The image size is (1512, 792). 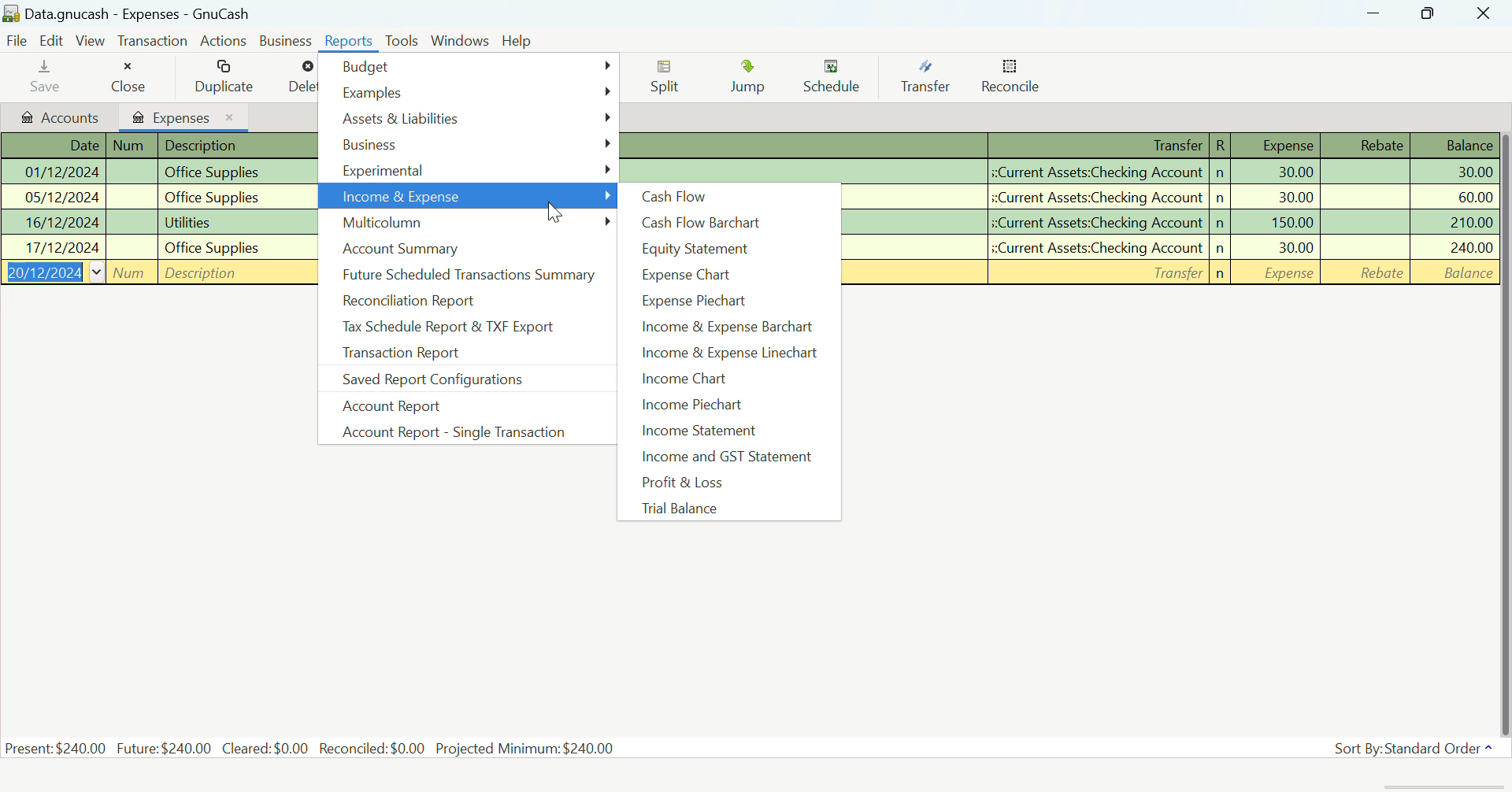 I want to click on Income and GST Statement, so click(x=732, y=458).